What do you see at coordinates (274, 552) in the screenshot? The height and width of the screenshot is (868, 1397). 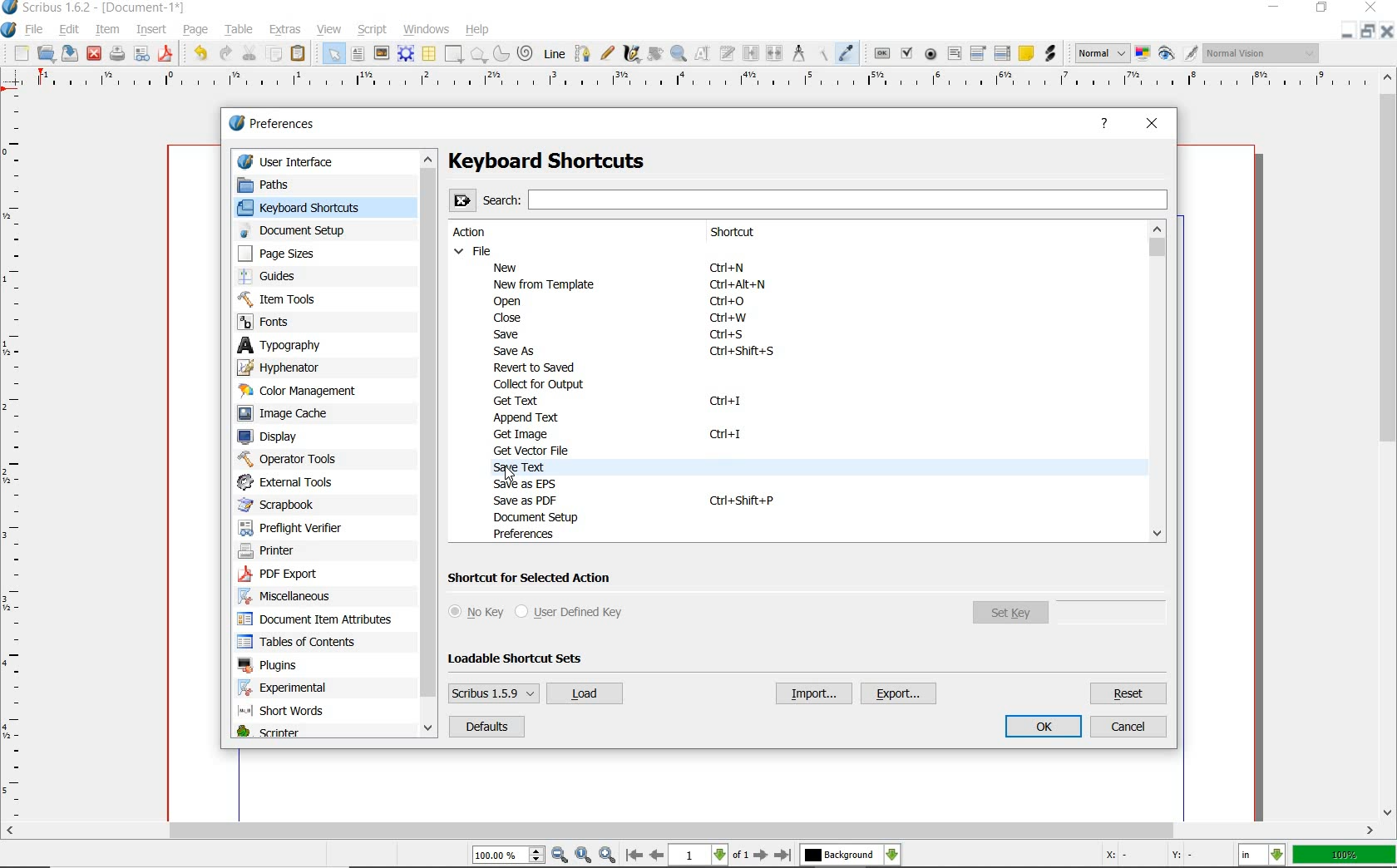 I see `printer` at bounding box center [274, 552].